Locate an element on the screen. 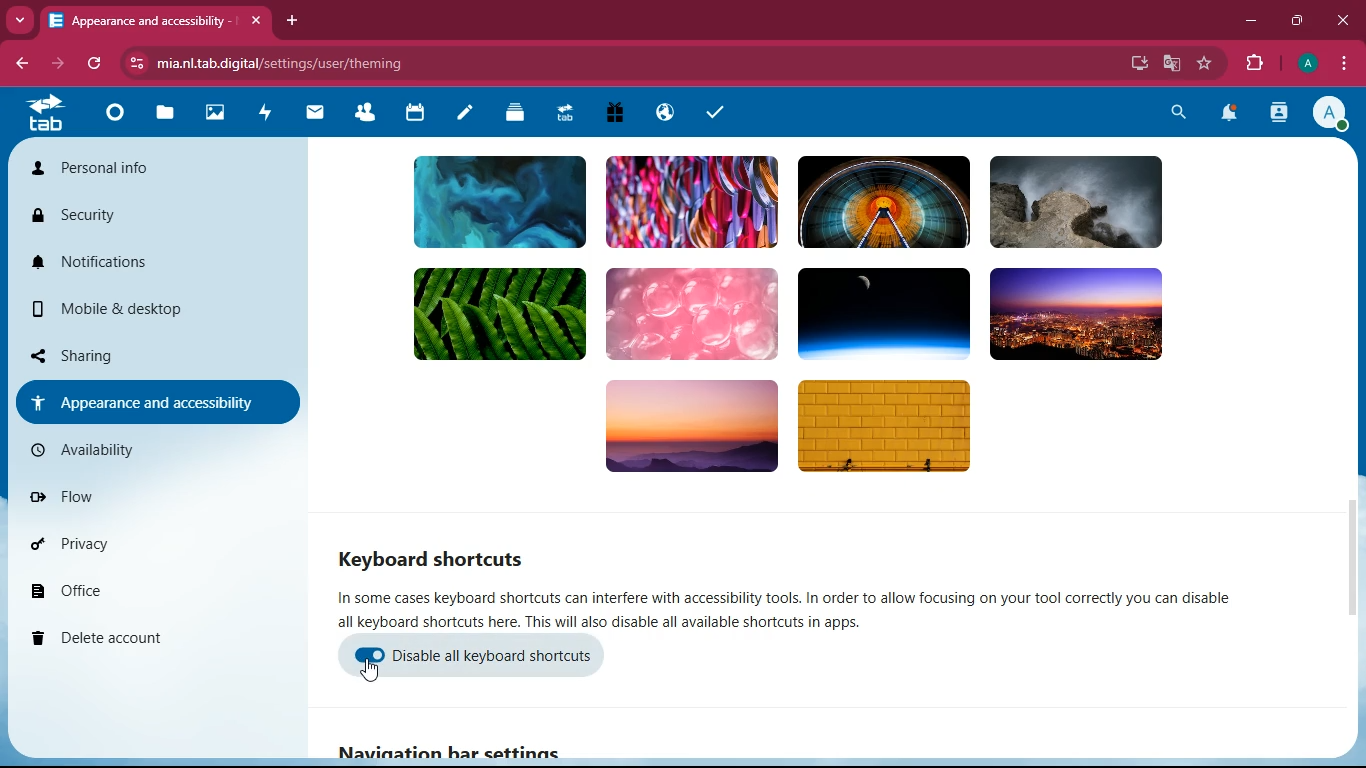  menu is located at coordinates (1341, 62).